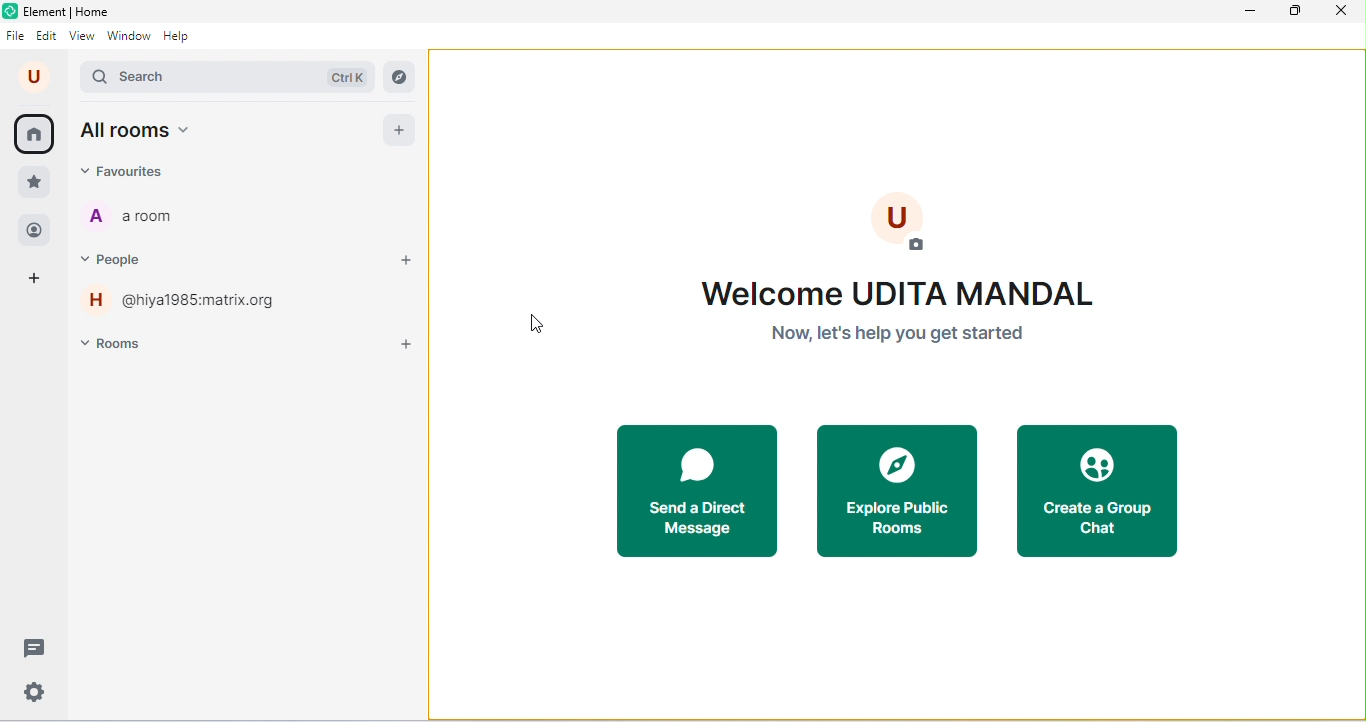  What do you see at coordinates (36, 693) in the screenshot?
I see `settings` at bounding box center [36, 693].